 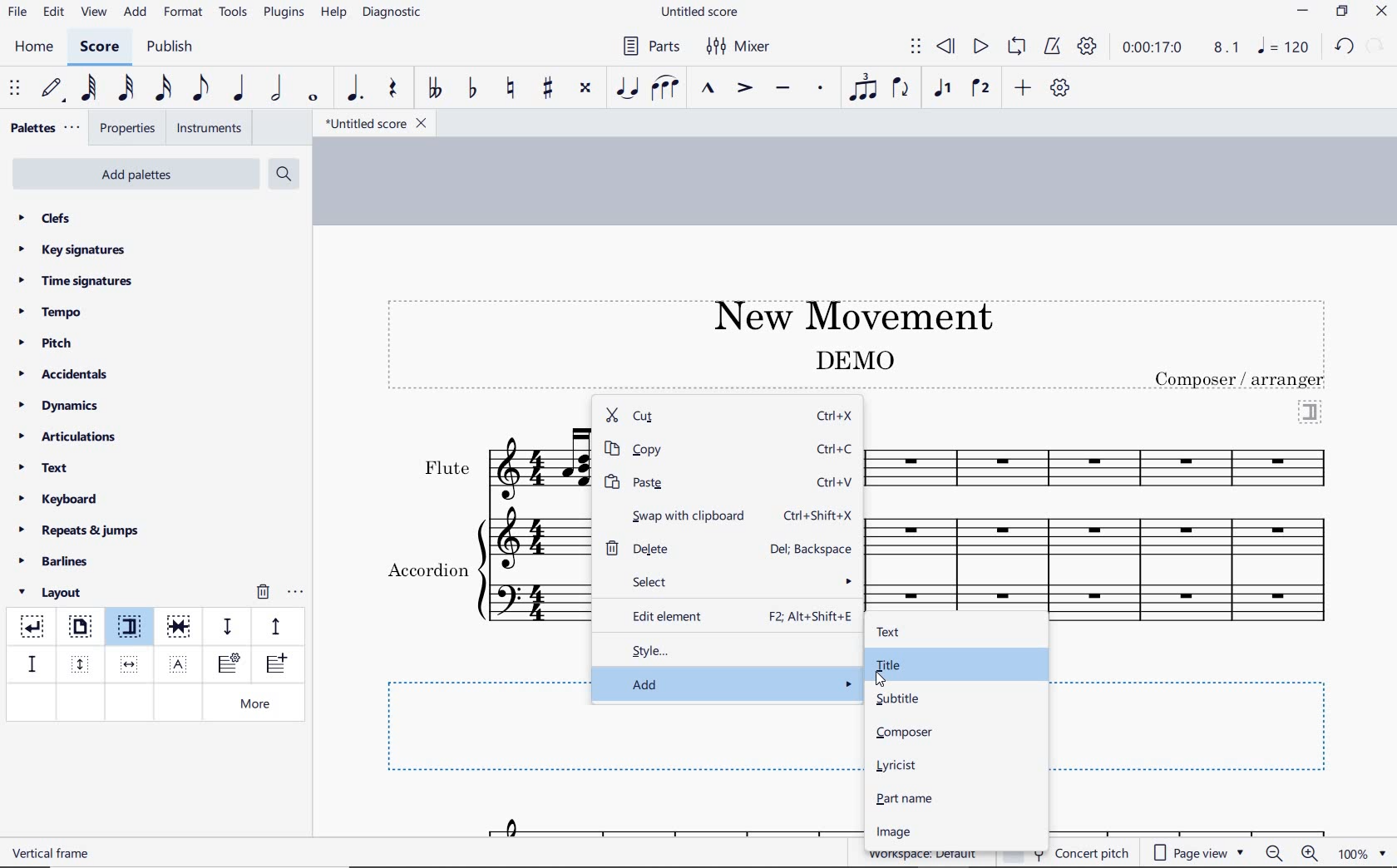 I want to click on subtitle, so click(x=896, y=698).